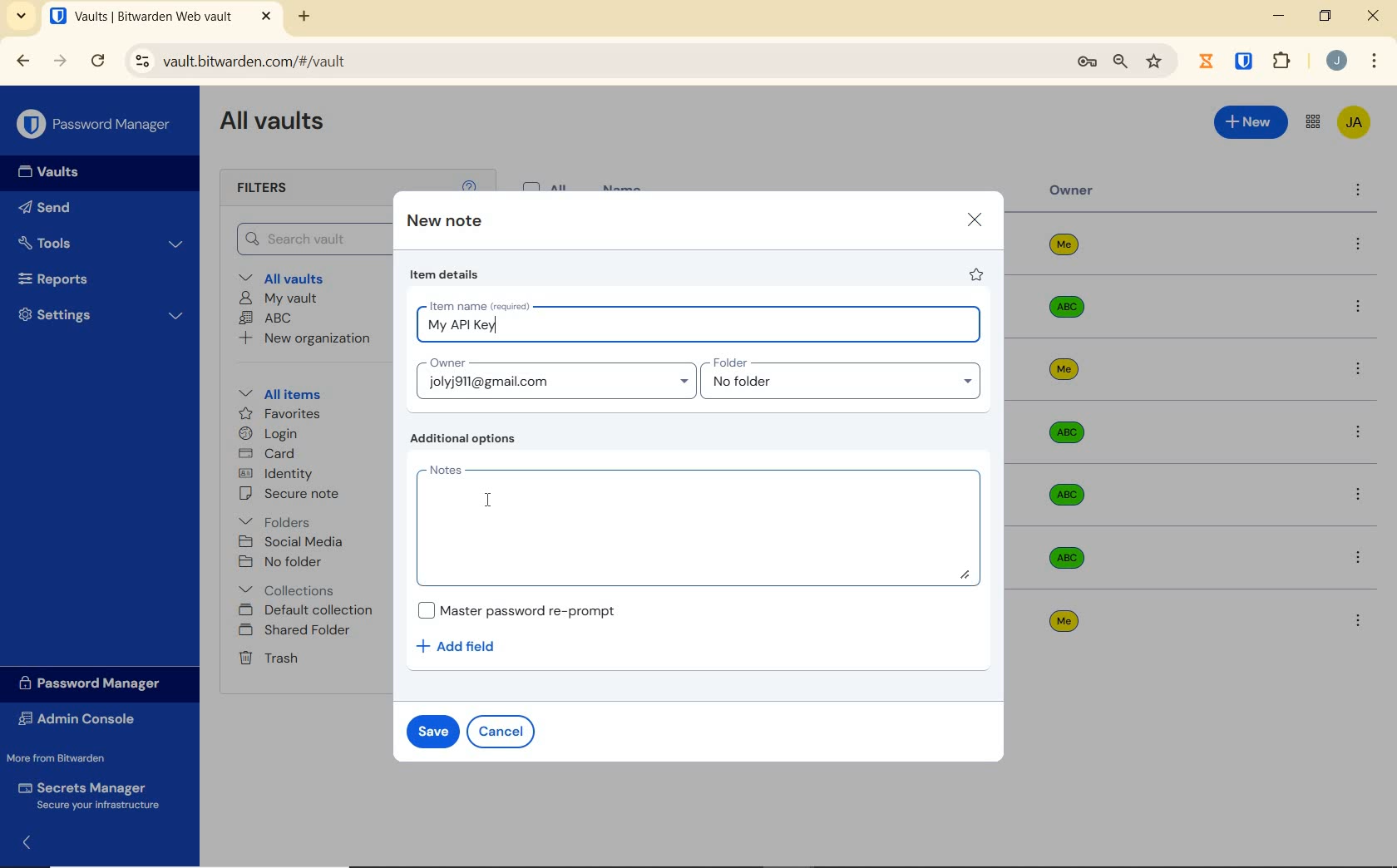 The height and width of the screenshot is (868, 1397). Describe the element at coordinates (99, 62) in the screenshot. I see `RELOAD` at that location.